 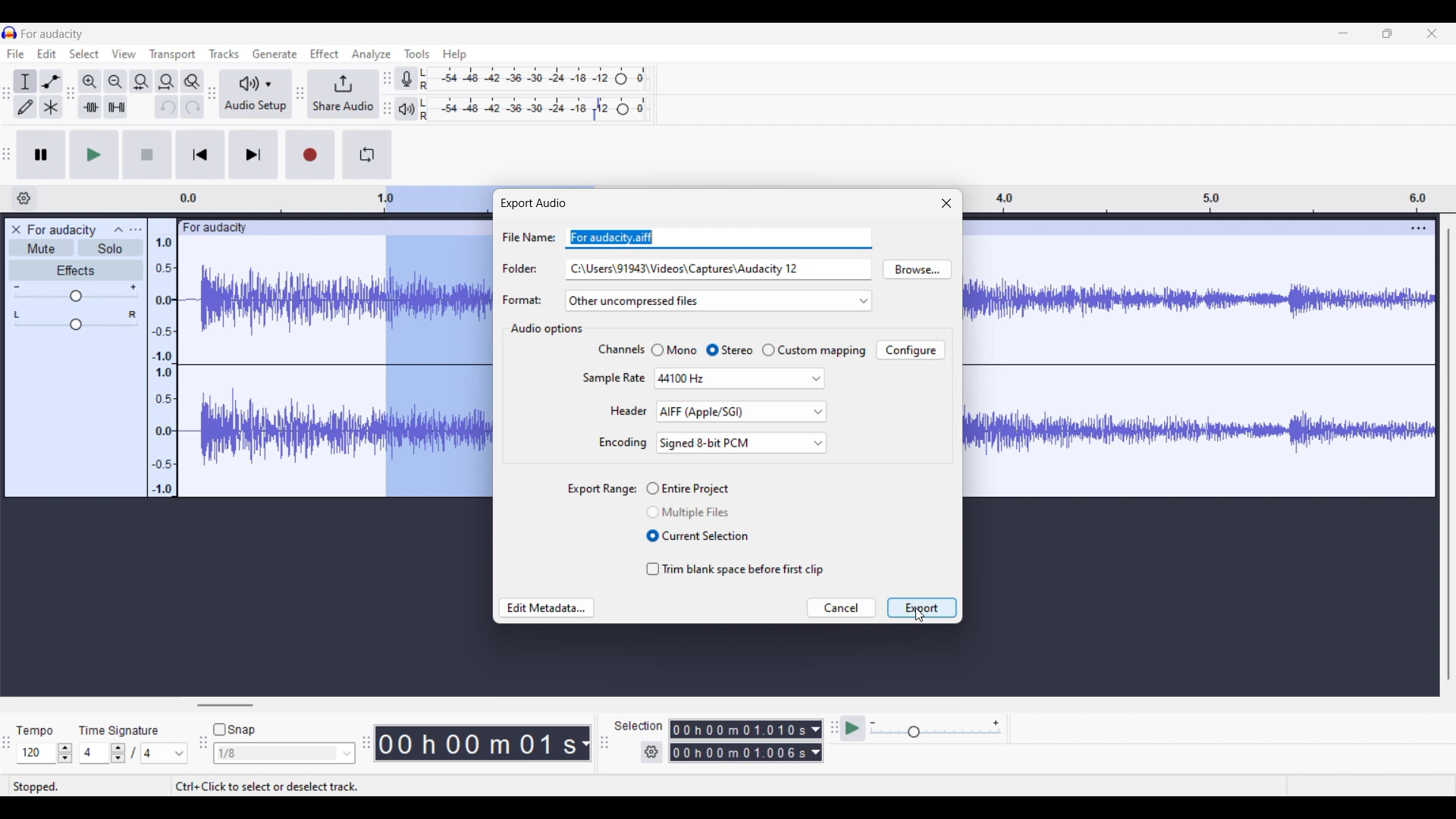 I want to click on Track selection, so click(x=433, y=341).